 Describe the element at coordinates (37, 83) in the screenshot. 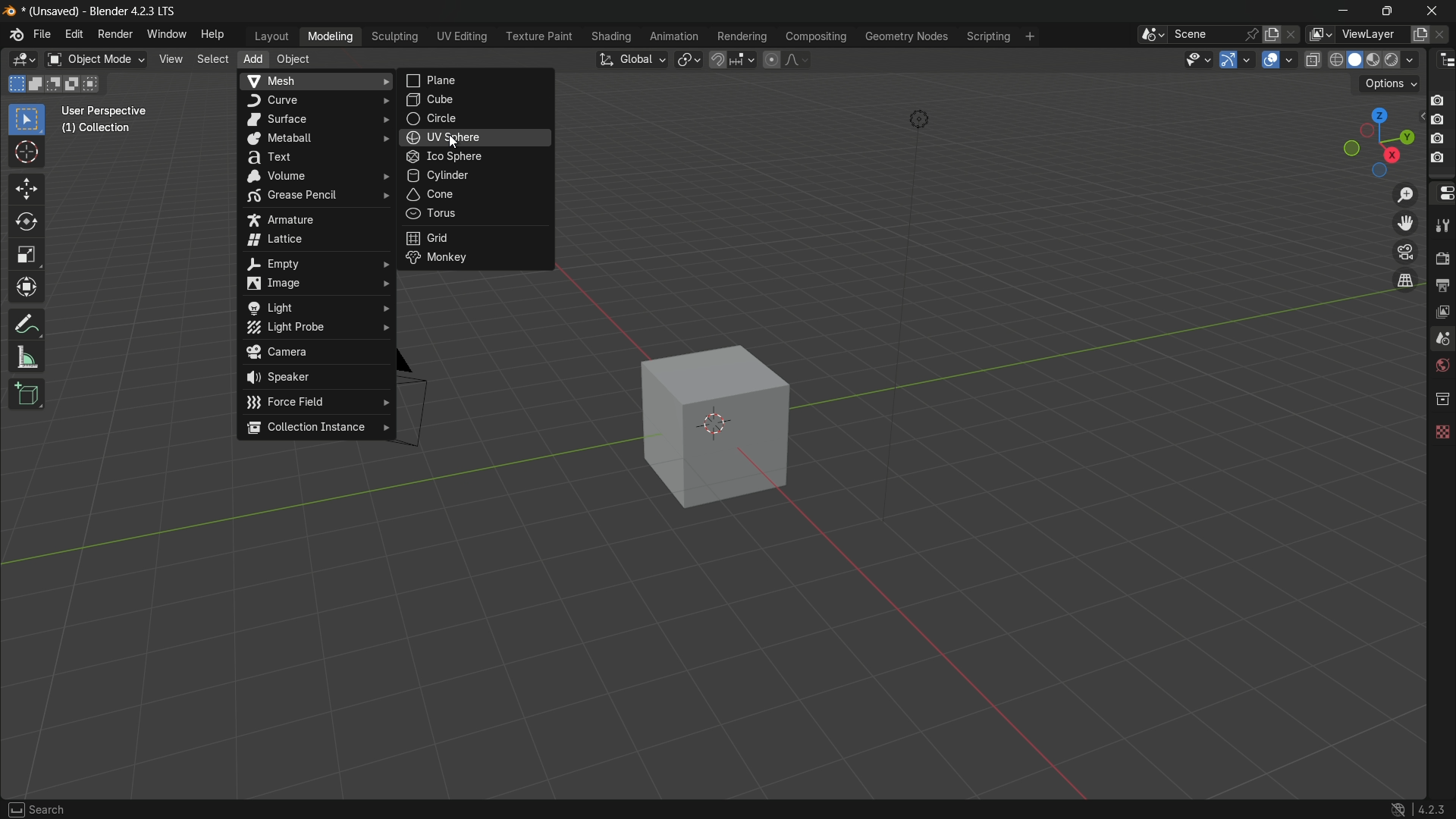

I see `extend existing selection` at that location.